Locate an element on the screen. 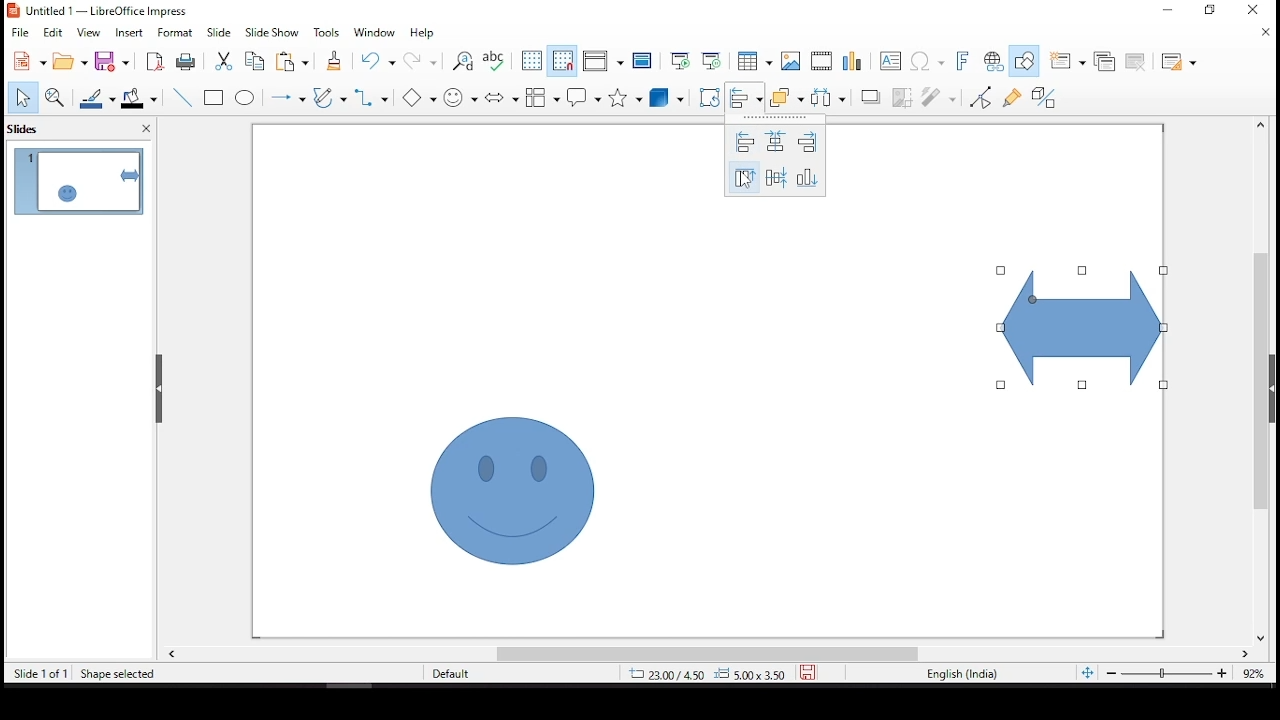 Image resolution: width=1280 pixels, height=720 pixels. start from current slide is located at coordinates (711, 59).